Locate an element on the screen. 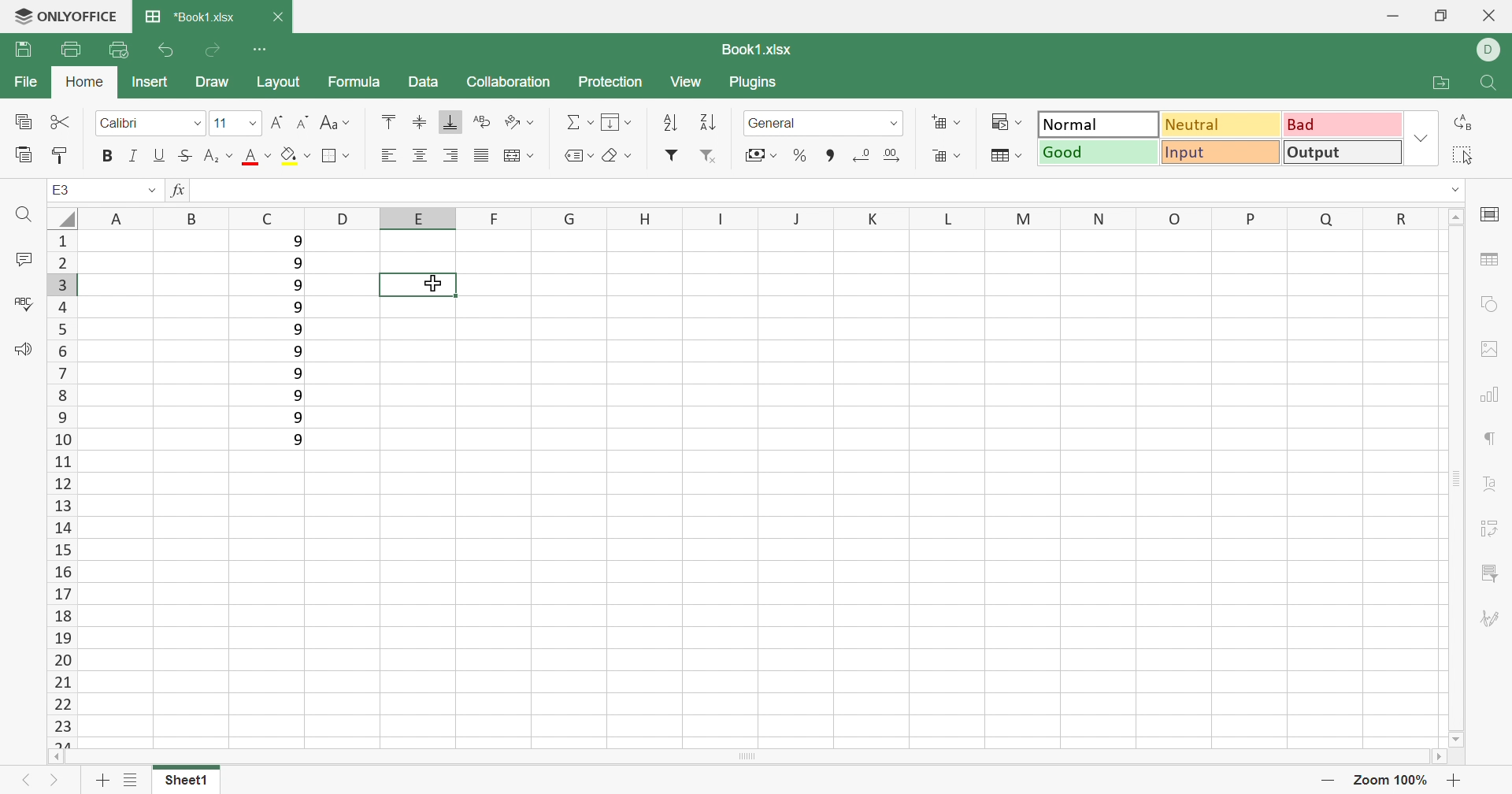 This screenshot has height=794, width=1512. Draw is located at coordinates (213, 83).